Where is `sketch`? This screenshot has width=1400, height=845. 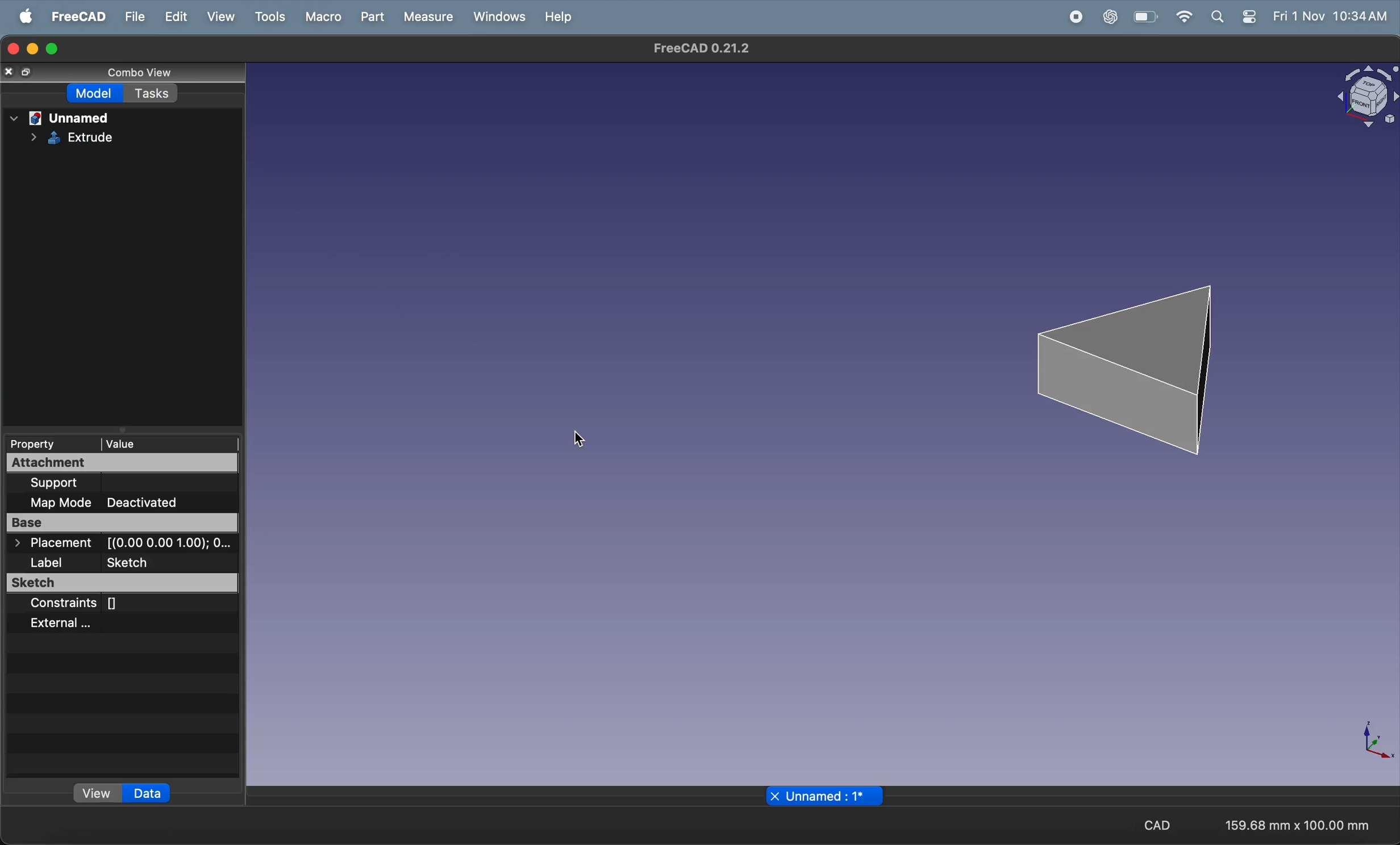 sketch is located at coordinates (70, 137).